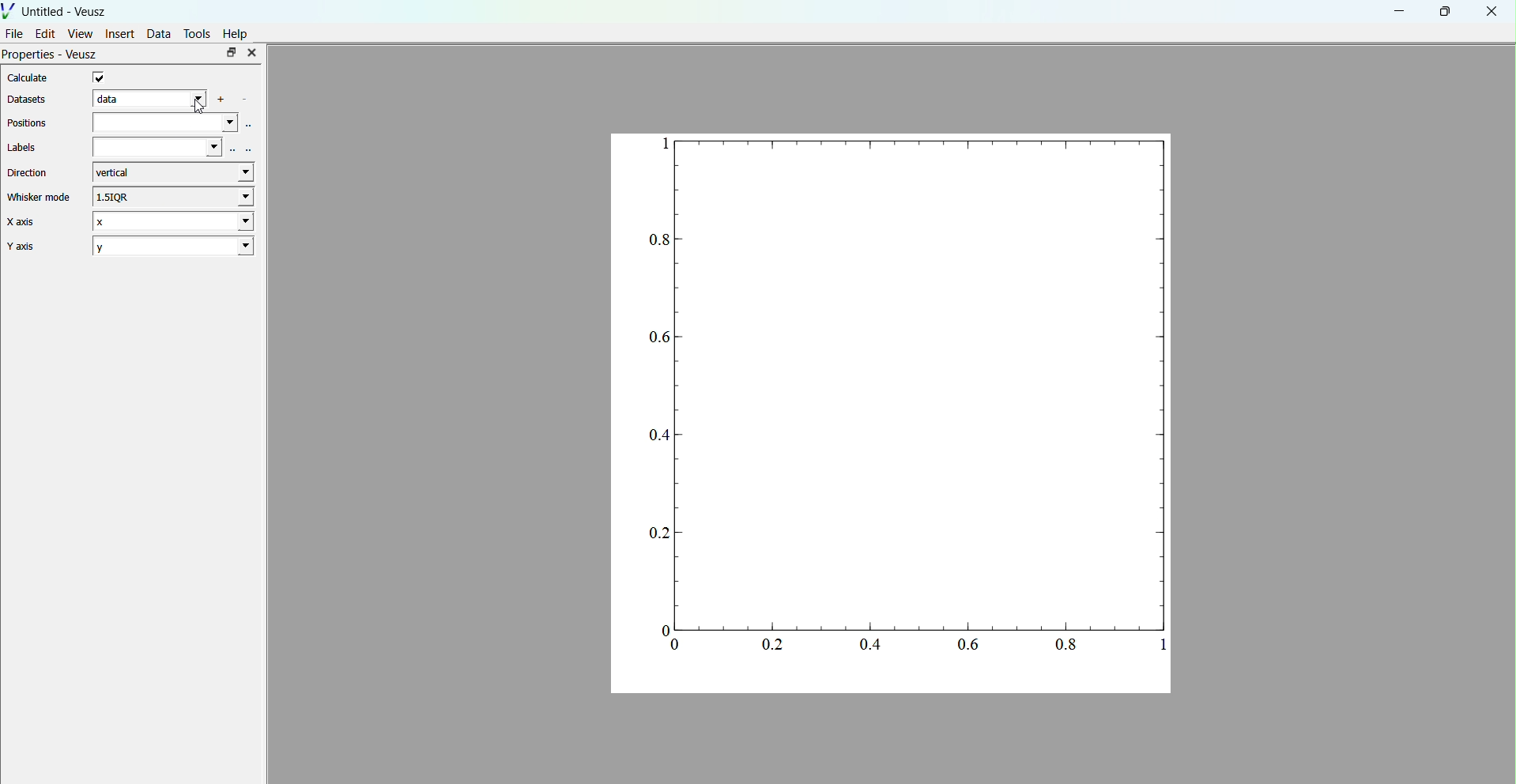 The image size is (1516, 784). Describe the element at coordinates (30, 99) in the screenshot. I see `Datasets` at that location.